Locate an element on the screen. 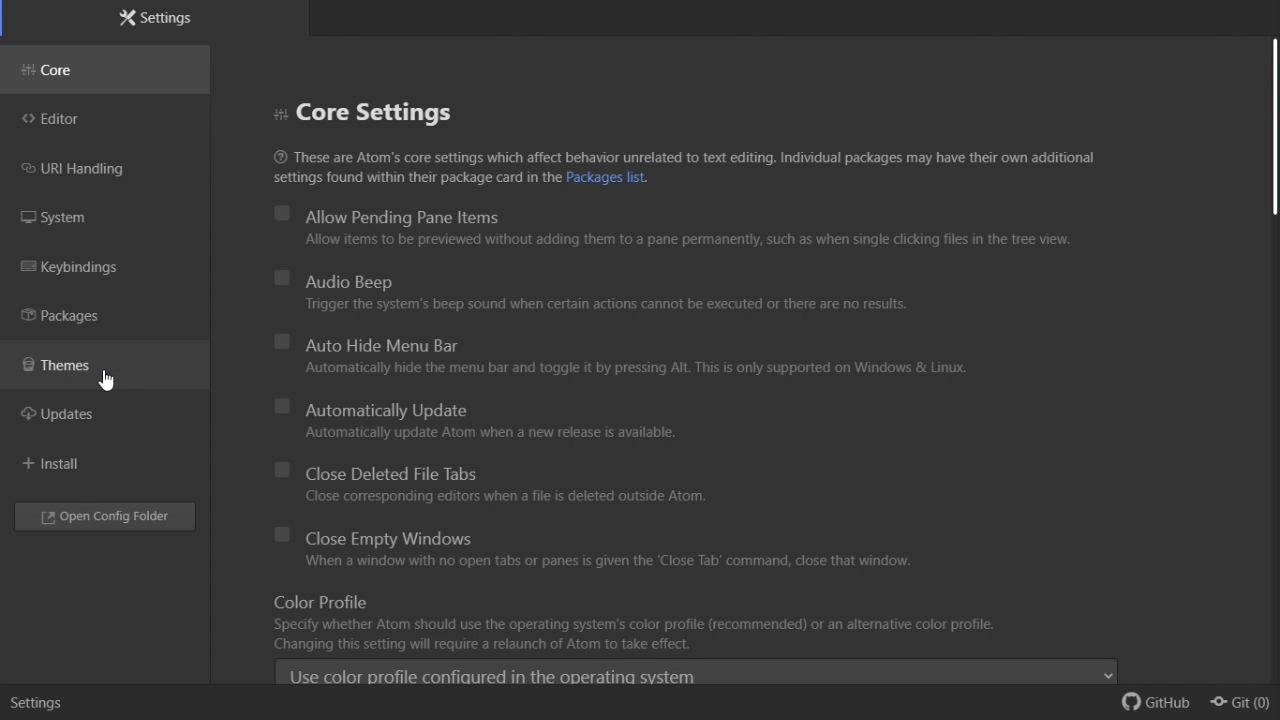  Color profile is located at coordinates (698, 623).